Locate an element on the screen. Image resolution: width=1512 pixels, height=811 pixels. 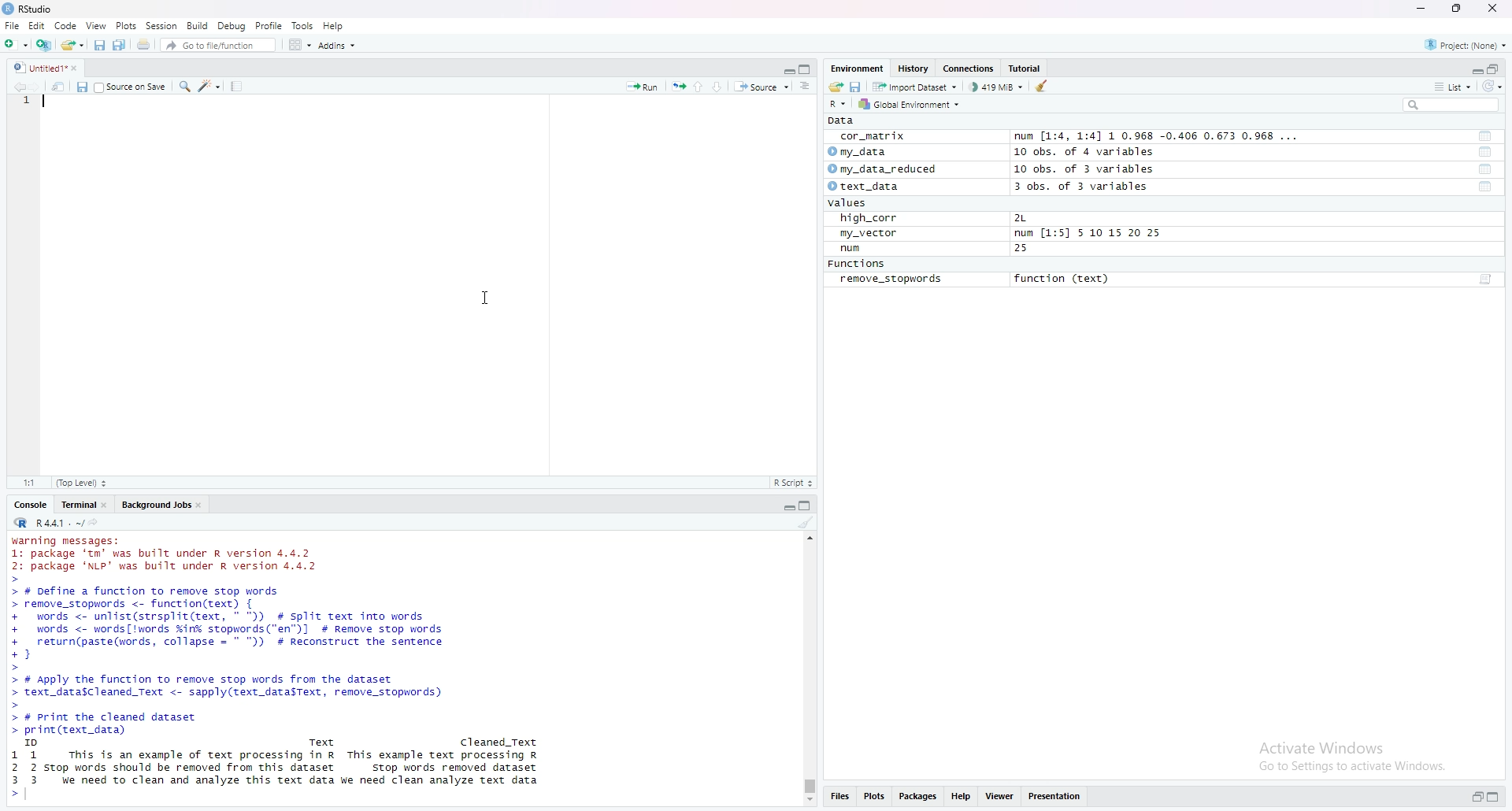
Open file is located at coordinates (835, 88).